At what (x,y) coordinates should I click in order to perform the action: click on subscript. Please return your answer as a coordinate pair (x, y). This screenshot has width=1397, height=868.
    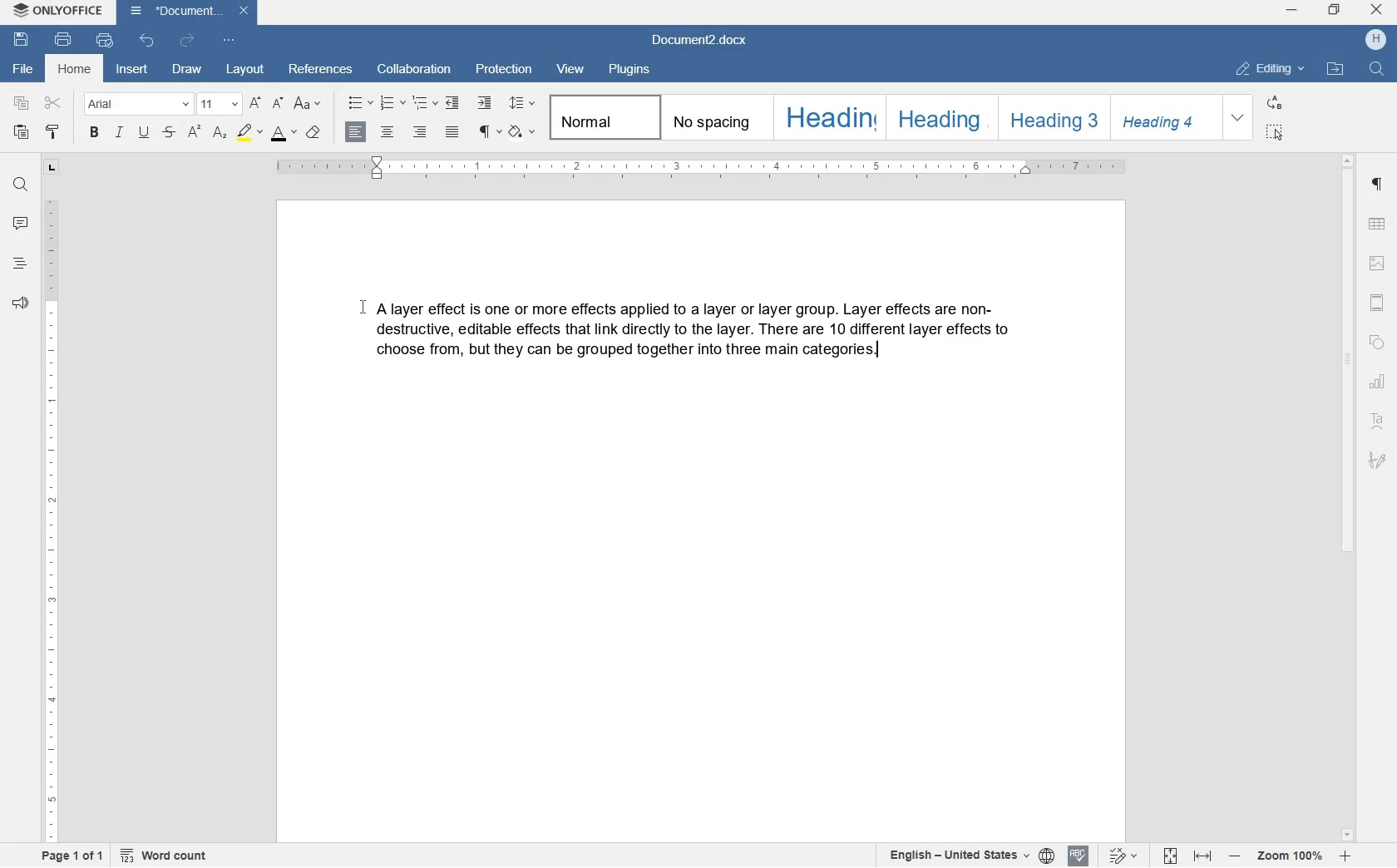
    Looking at the image, I should click on (220, 134).